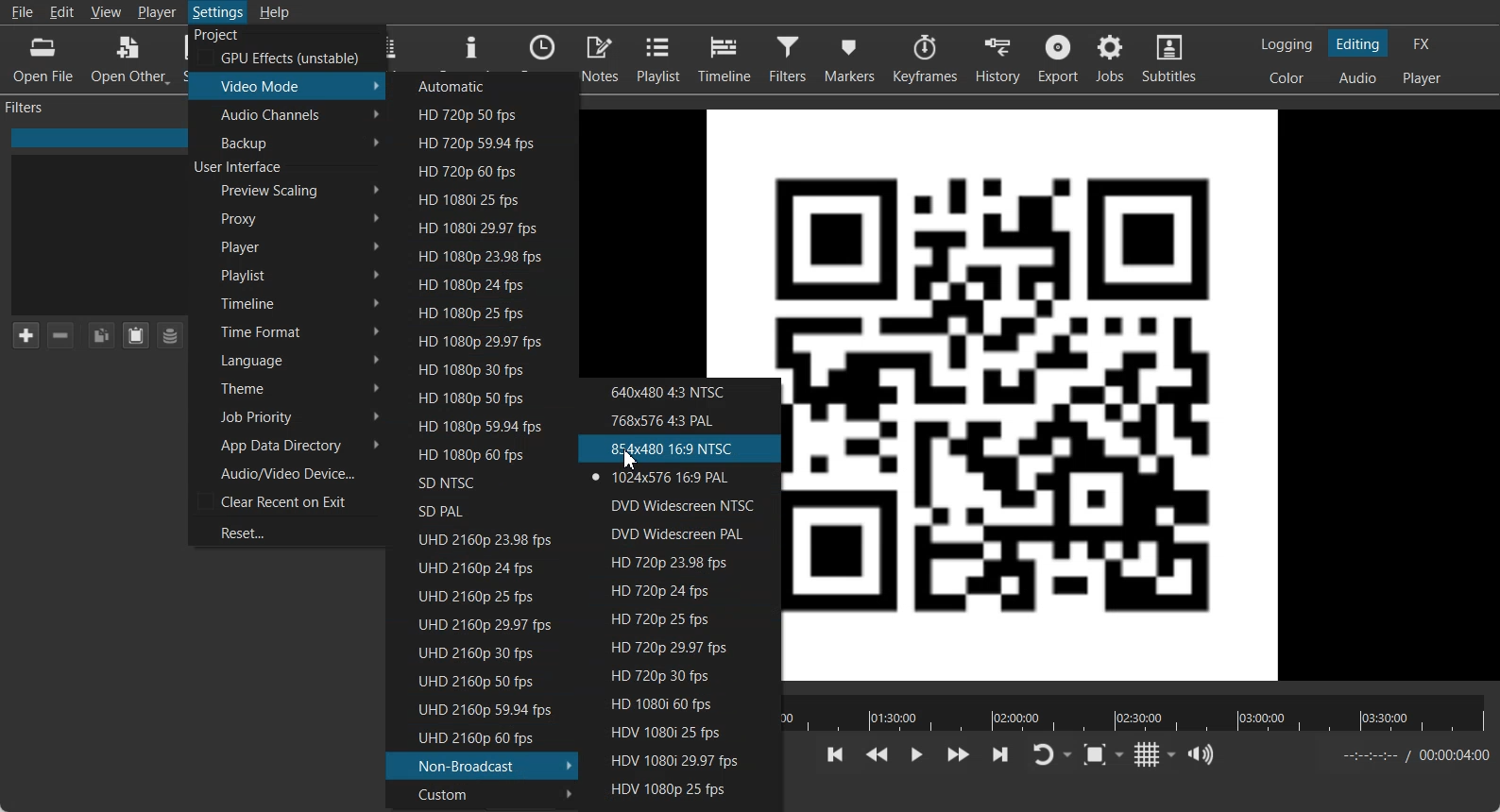  I want to click on Play quickly backward, so click(877, 755).